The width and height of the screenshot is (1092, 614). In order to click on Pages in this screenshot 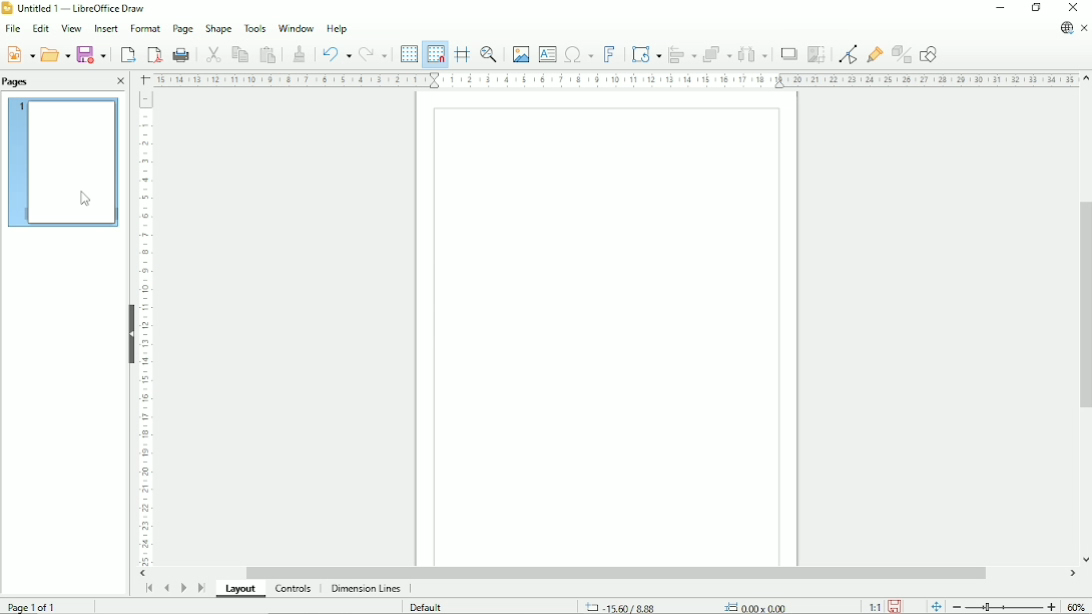, I will do `click(18, 81)`.